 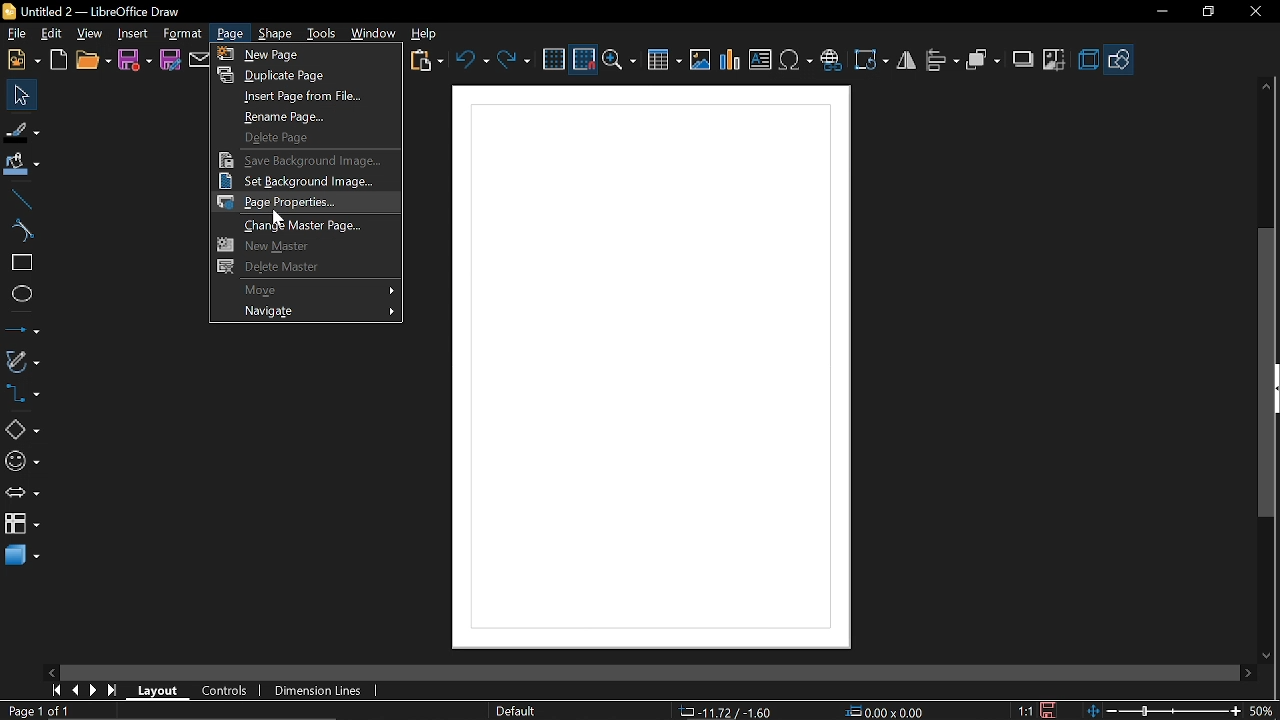 I want to click on Page Style, so click(x=518, y=711).